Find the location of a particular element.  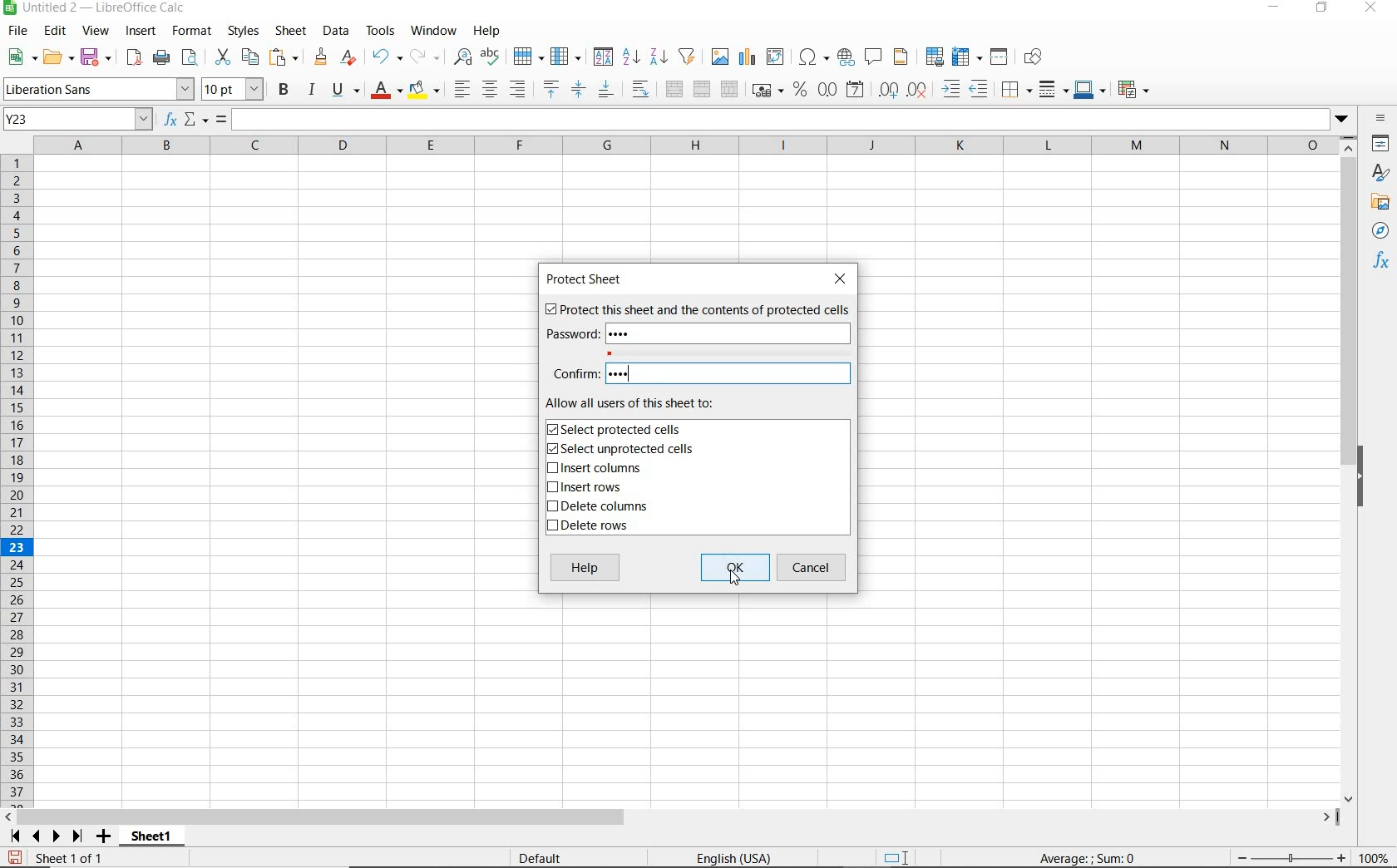

STYLES is located at coordinates (243, 31).